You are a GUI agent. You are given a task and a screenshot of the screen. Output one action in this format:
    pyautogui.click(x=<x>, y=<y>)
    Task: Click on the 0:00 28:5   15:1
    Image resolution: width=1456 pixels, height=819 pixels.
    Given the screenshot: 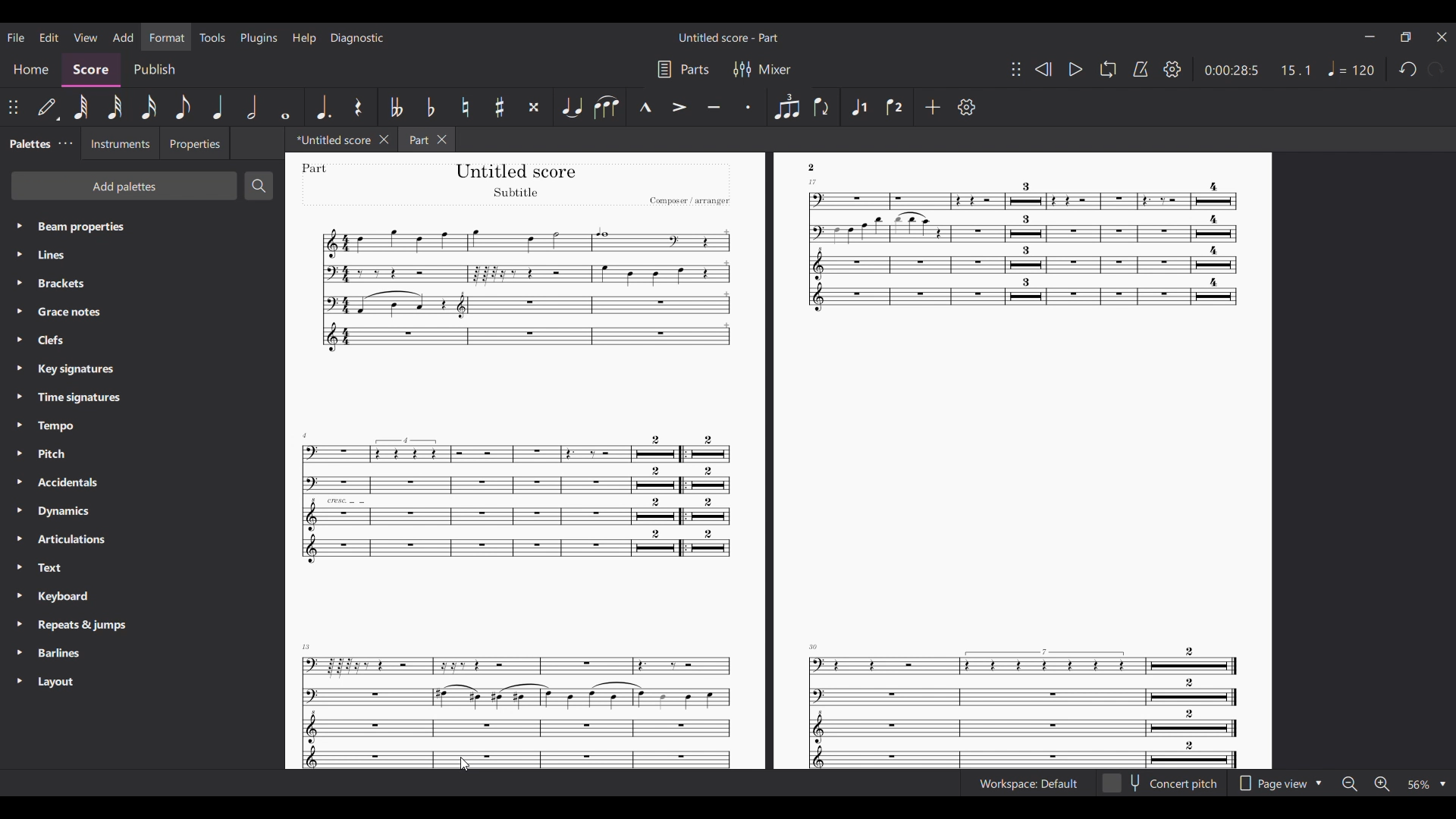 What is the action you would take?
    pyautogui.click(x=1257, y=71)
    